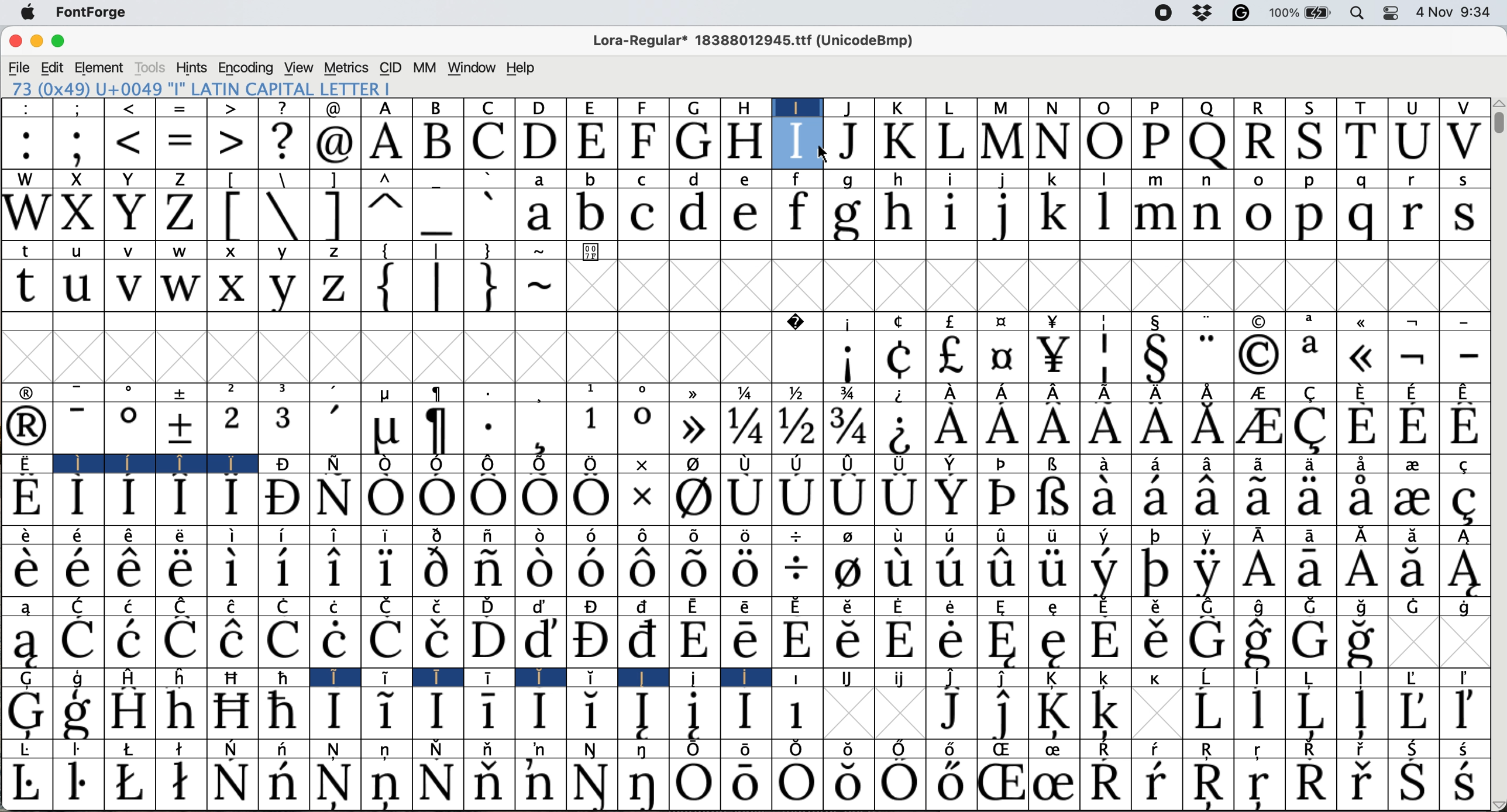  Describe the element at coordinates (999, 356) in the screenshot. I see `Symbol` at that location.